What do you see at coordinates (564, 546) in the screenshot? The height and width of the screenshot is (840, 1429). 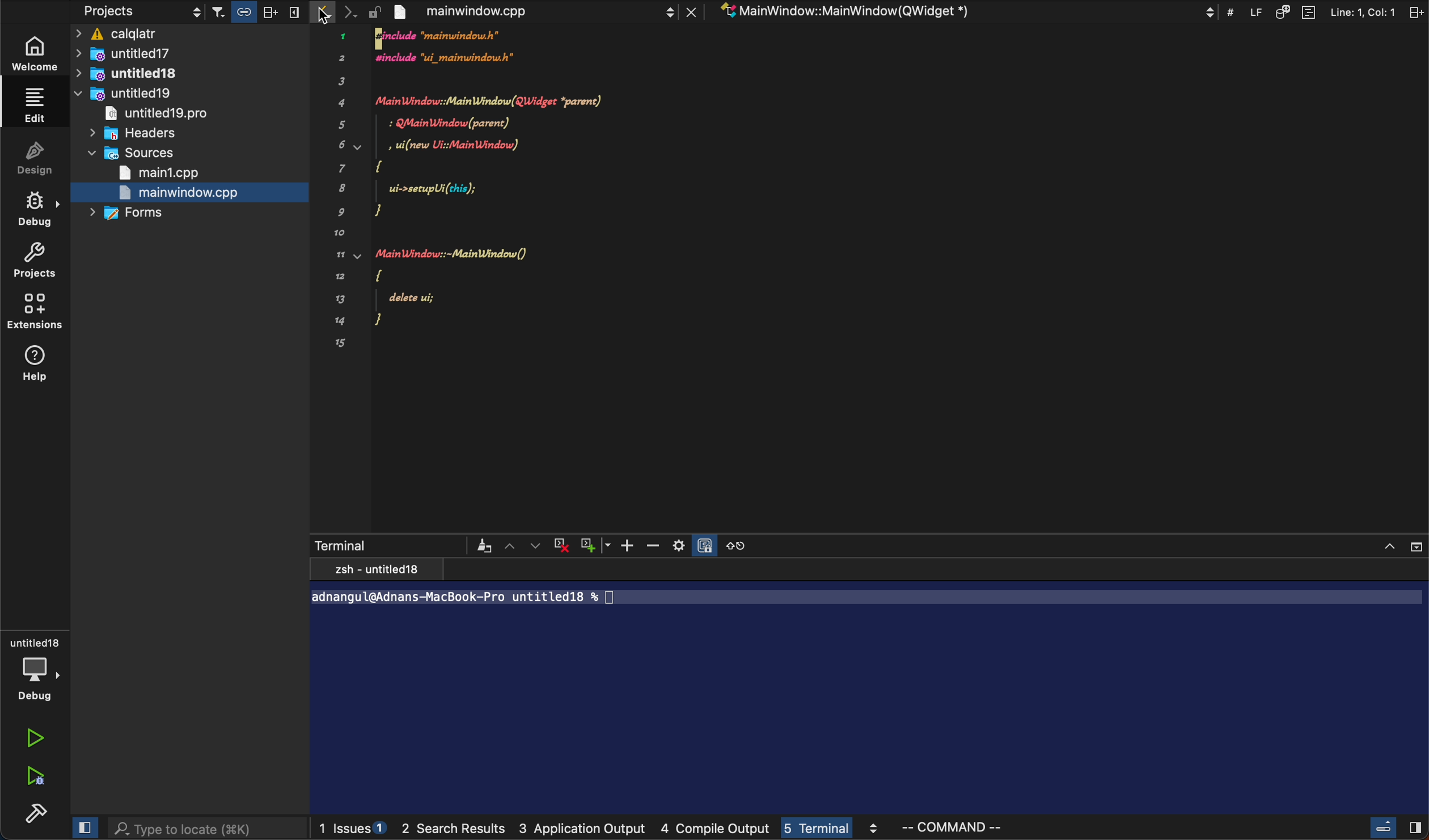 I see `cross` at bounding box center [564, 546].